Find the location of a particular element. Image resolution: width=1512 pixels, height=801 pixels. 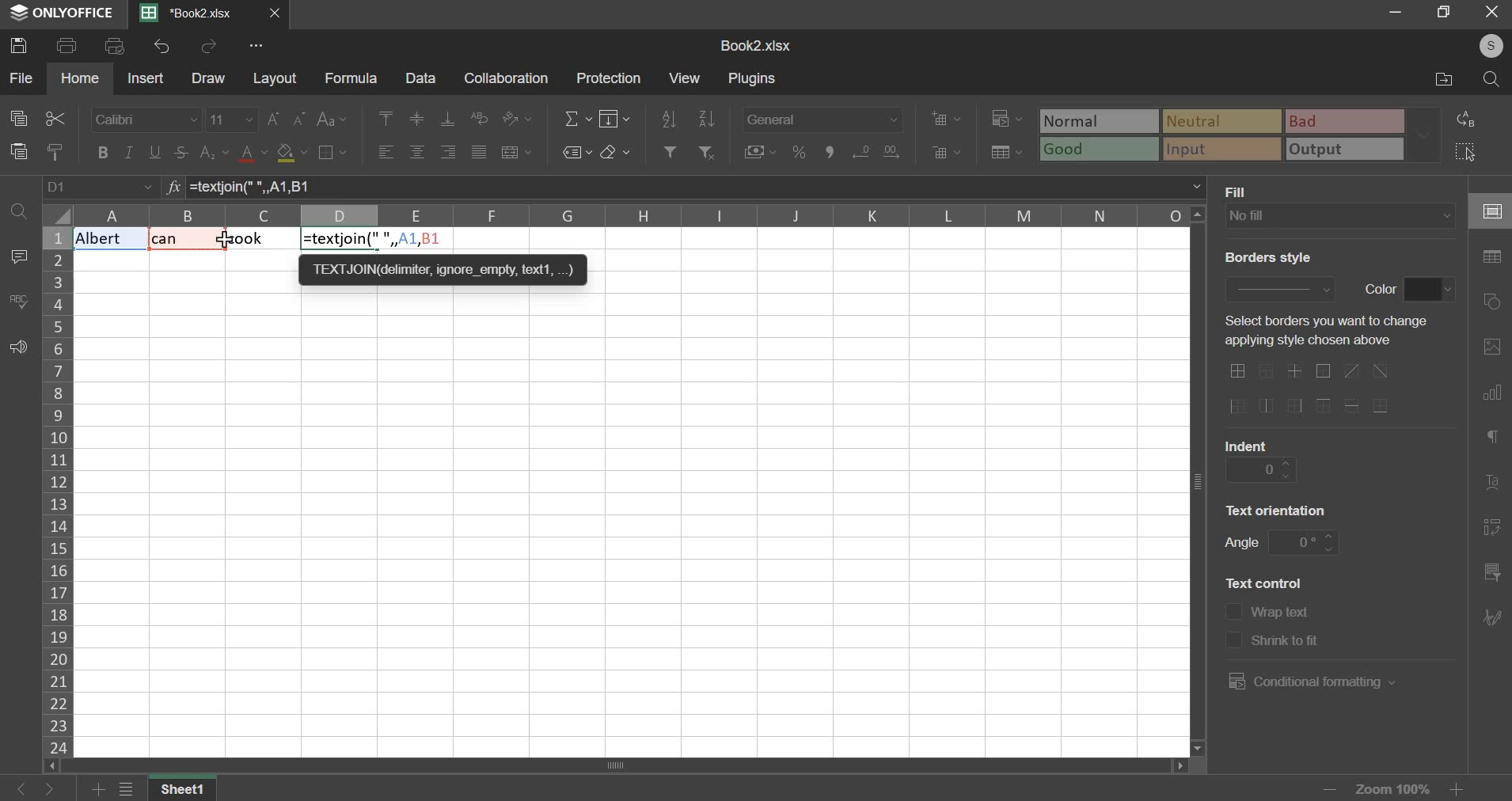

protection is located at coordinates (612, 78).